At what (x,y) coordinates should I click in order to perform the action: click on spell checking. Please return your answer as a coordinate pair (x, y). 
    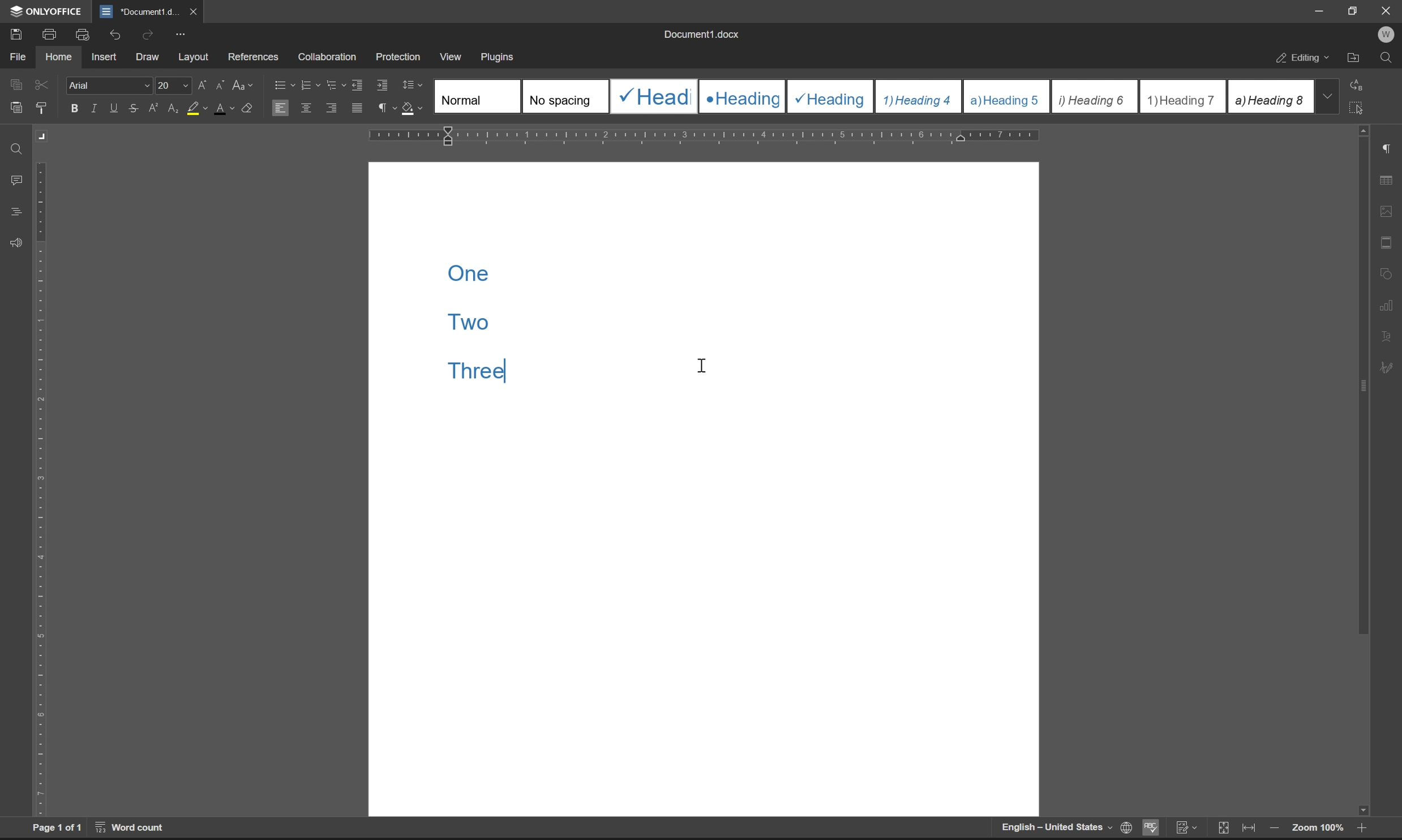
    Looking at the image, I should click on (1150, 827).